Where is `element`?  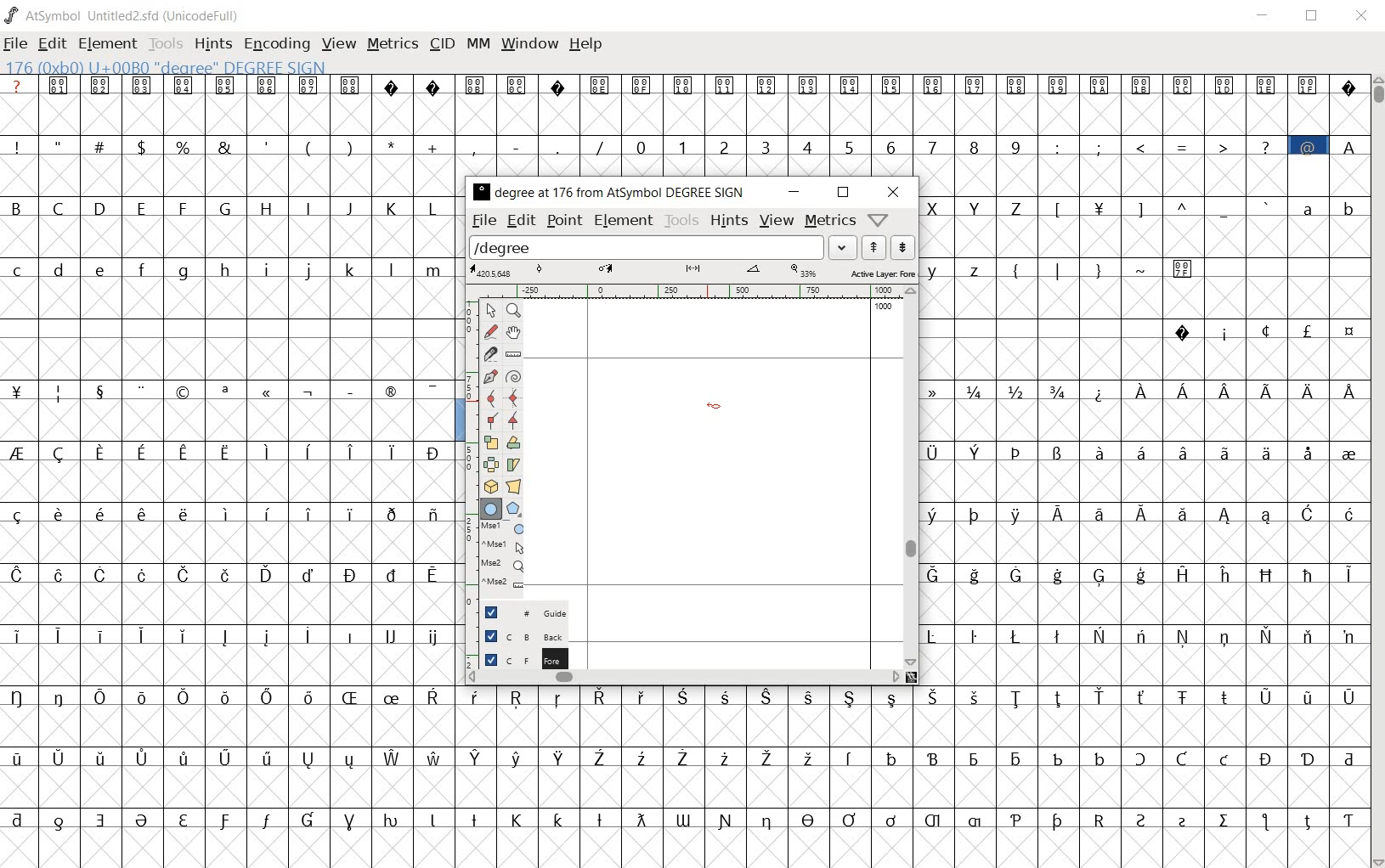
element is located at coordinates (625, 222).